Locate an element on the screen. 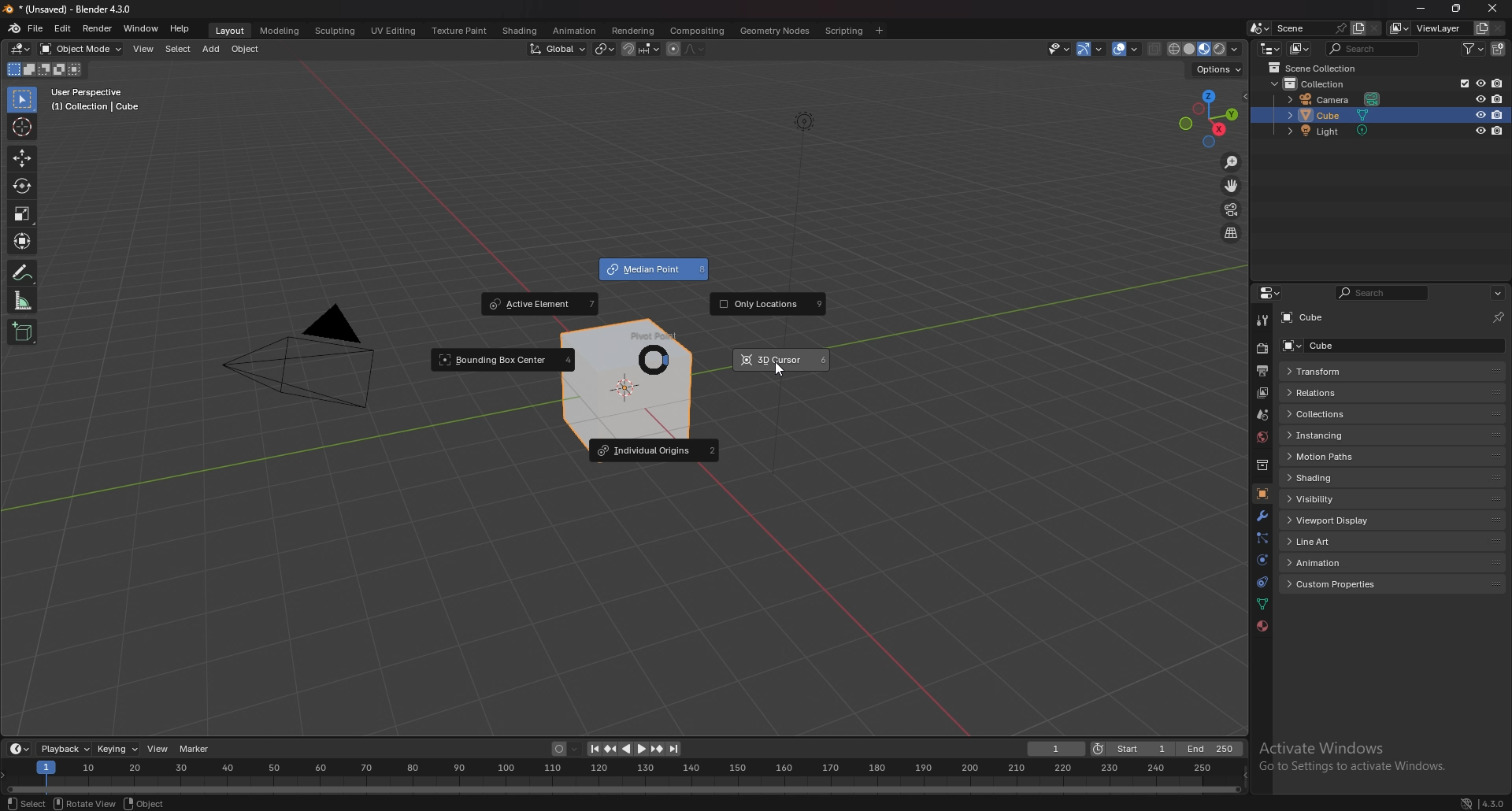  custom properties is located at coordinates (1339, 584).